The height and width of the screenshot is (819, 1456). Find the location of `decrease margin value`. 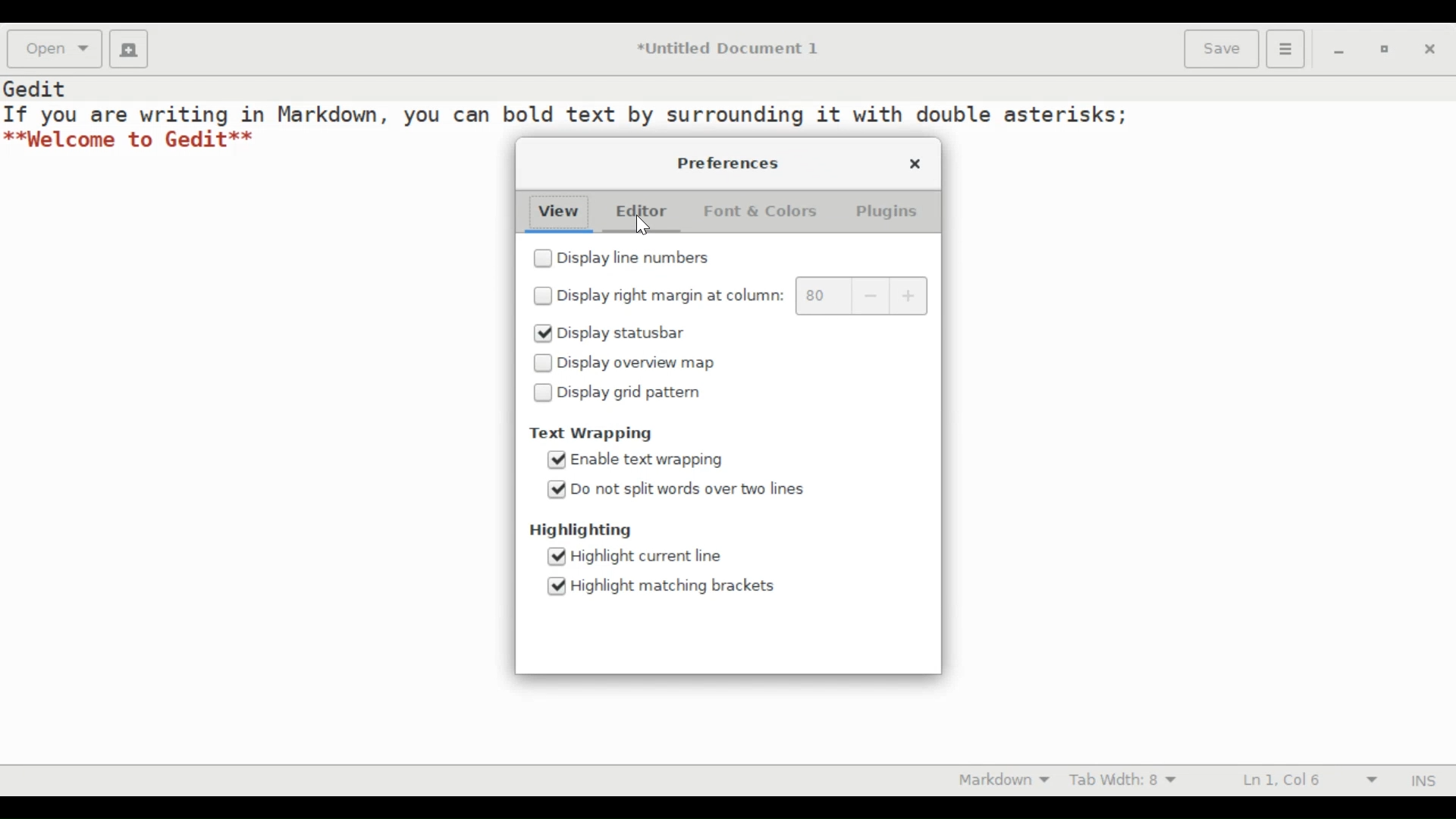

decrease margin value is located at coordinates (872, 297).